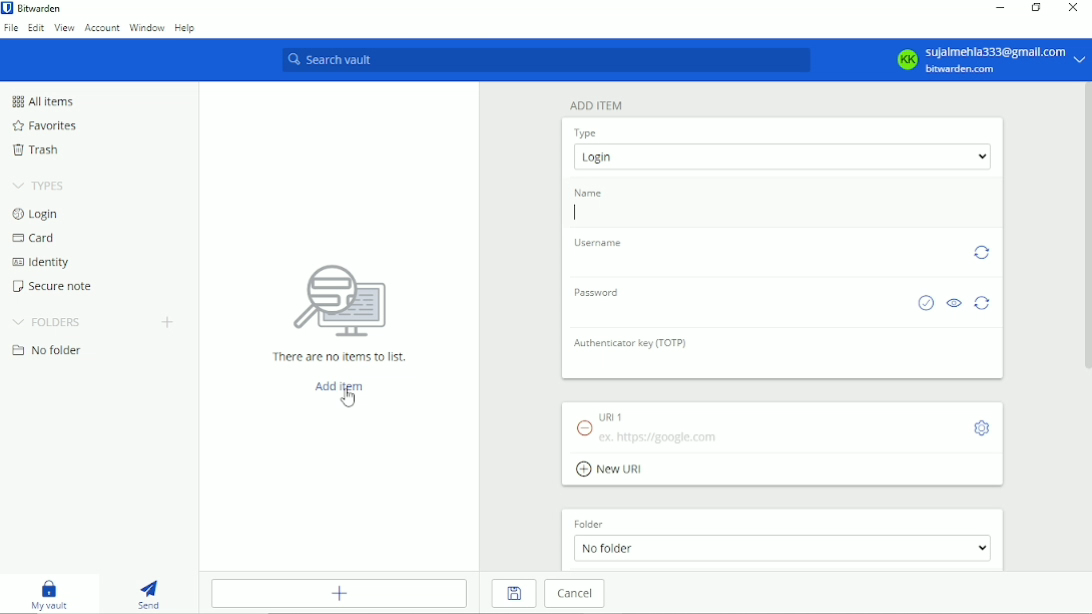 The height and width of the screenshot is (614, 1092). What do you see at coordinates (101, 29) in the screenshot?
I see `Account` at bounding box center [101, 29].